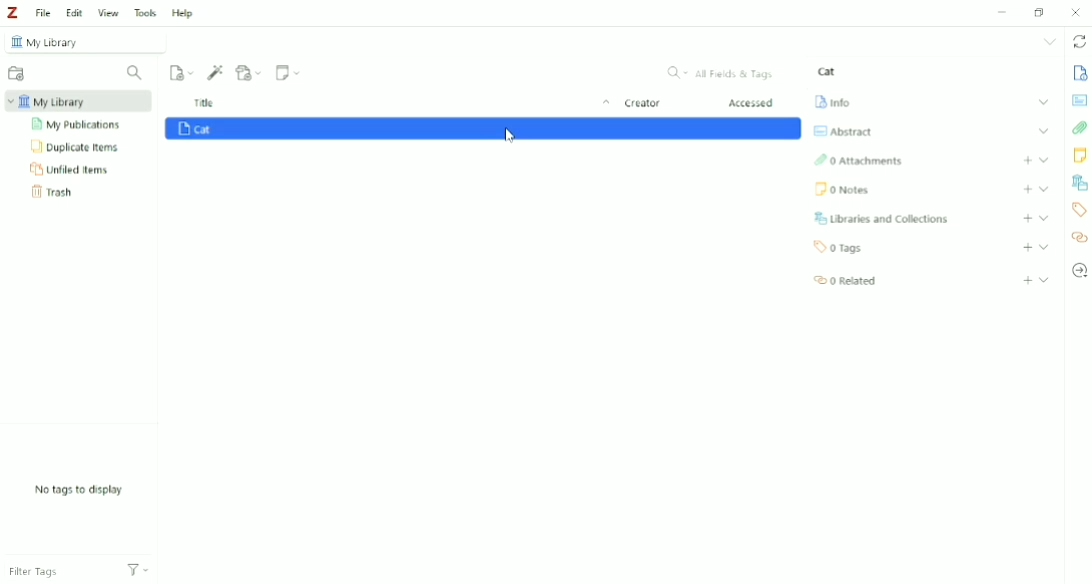 The width and height of the screenshot is (1092, 584). What do you see at coordinates (1075, 12) in the screenshot?
I see `Close` at bounding box center [1075, 12].